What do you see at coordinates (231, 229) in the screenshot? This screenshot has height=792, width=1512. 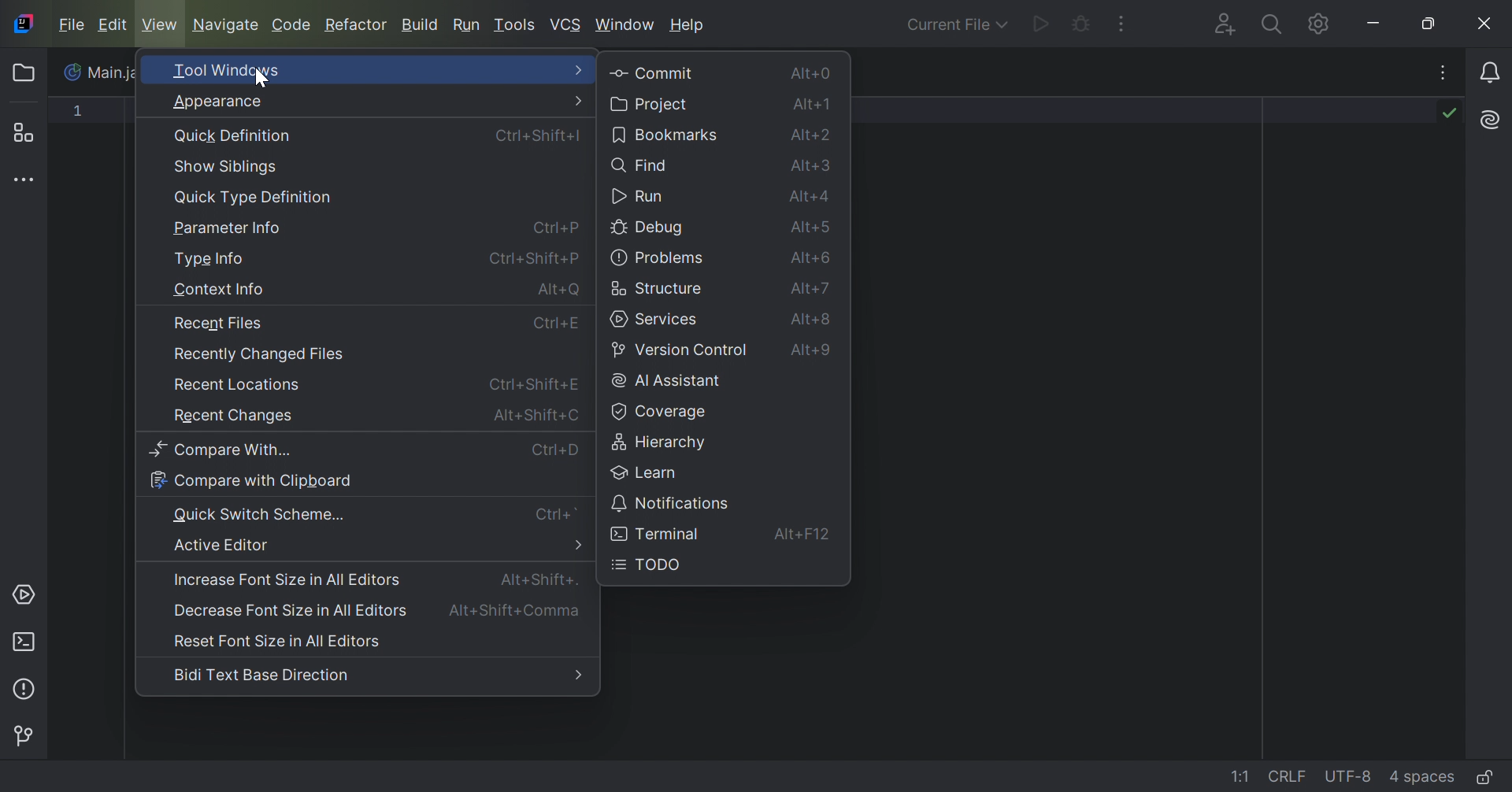 I see `Parameter Info` at bounding box center [231, 229].